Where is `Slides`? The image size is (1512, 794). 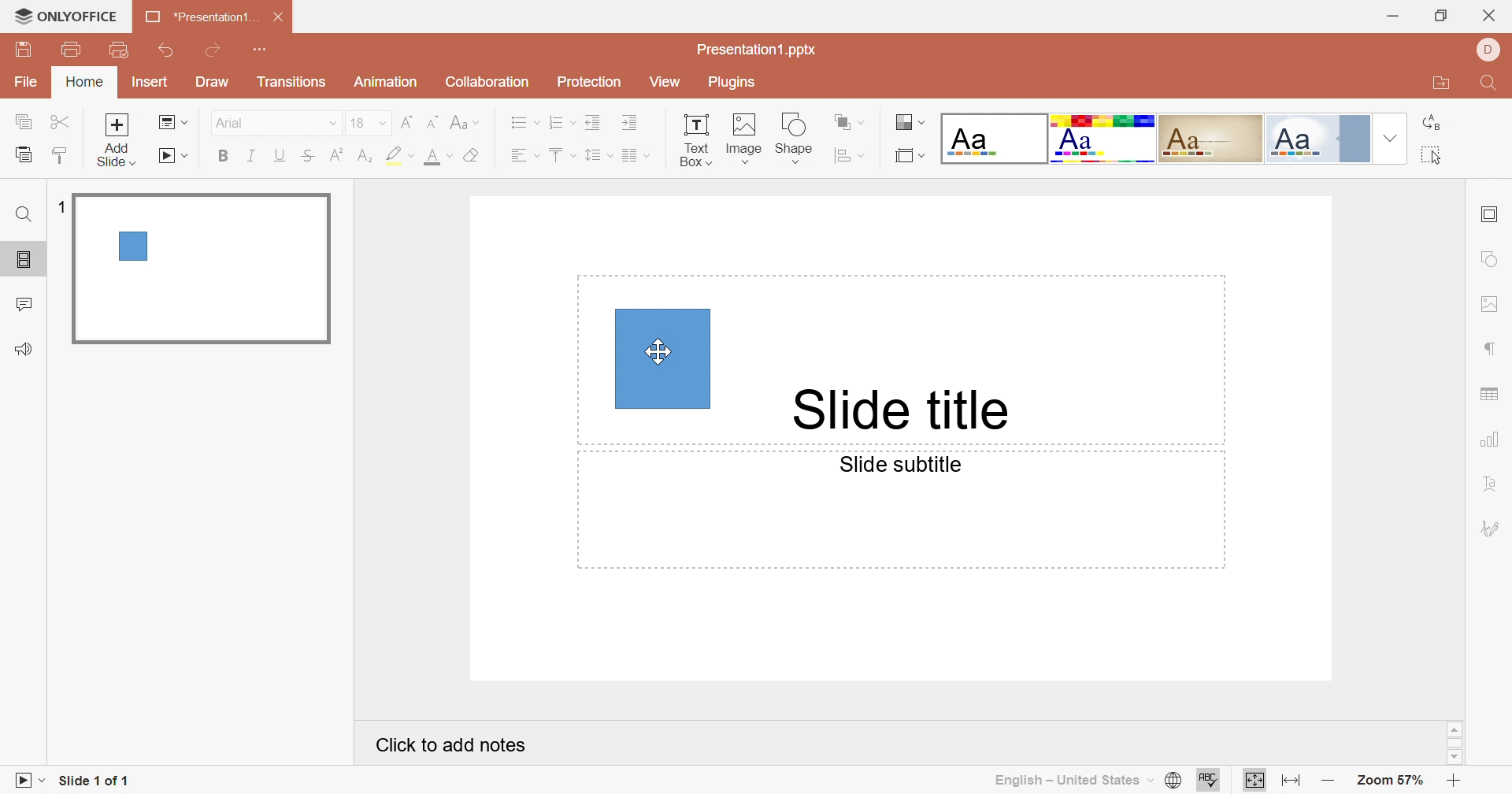
Slides is located at coordinates (27, 260).